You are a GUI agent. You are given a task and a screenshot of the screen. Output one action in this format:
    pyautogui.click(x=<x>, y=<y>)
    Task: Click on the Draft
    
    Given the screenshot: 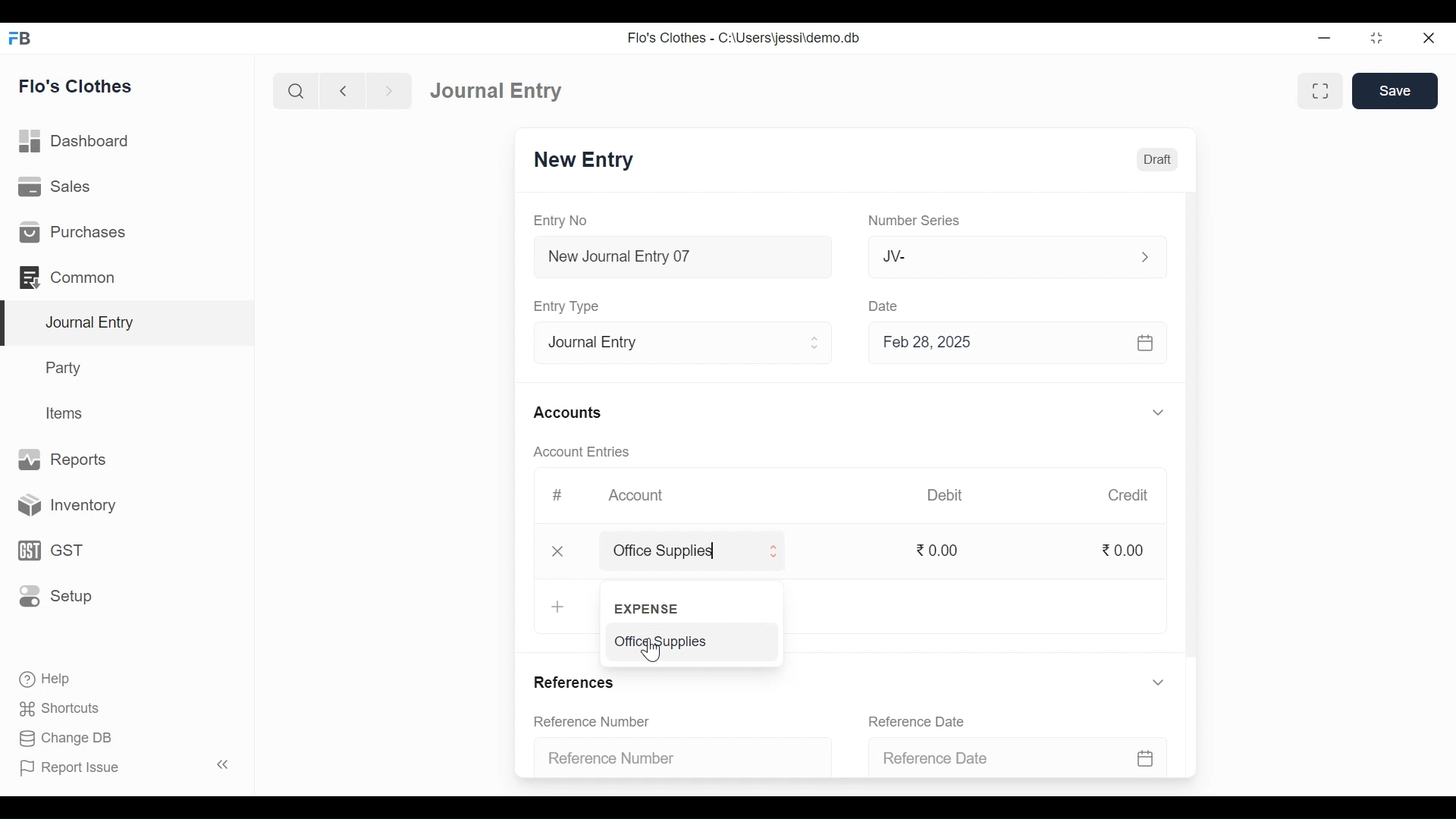 What is the action you would take?
    pyautogui.click(x=1154, y=160)
    